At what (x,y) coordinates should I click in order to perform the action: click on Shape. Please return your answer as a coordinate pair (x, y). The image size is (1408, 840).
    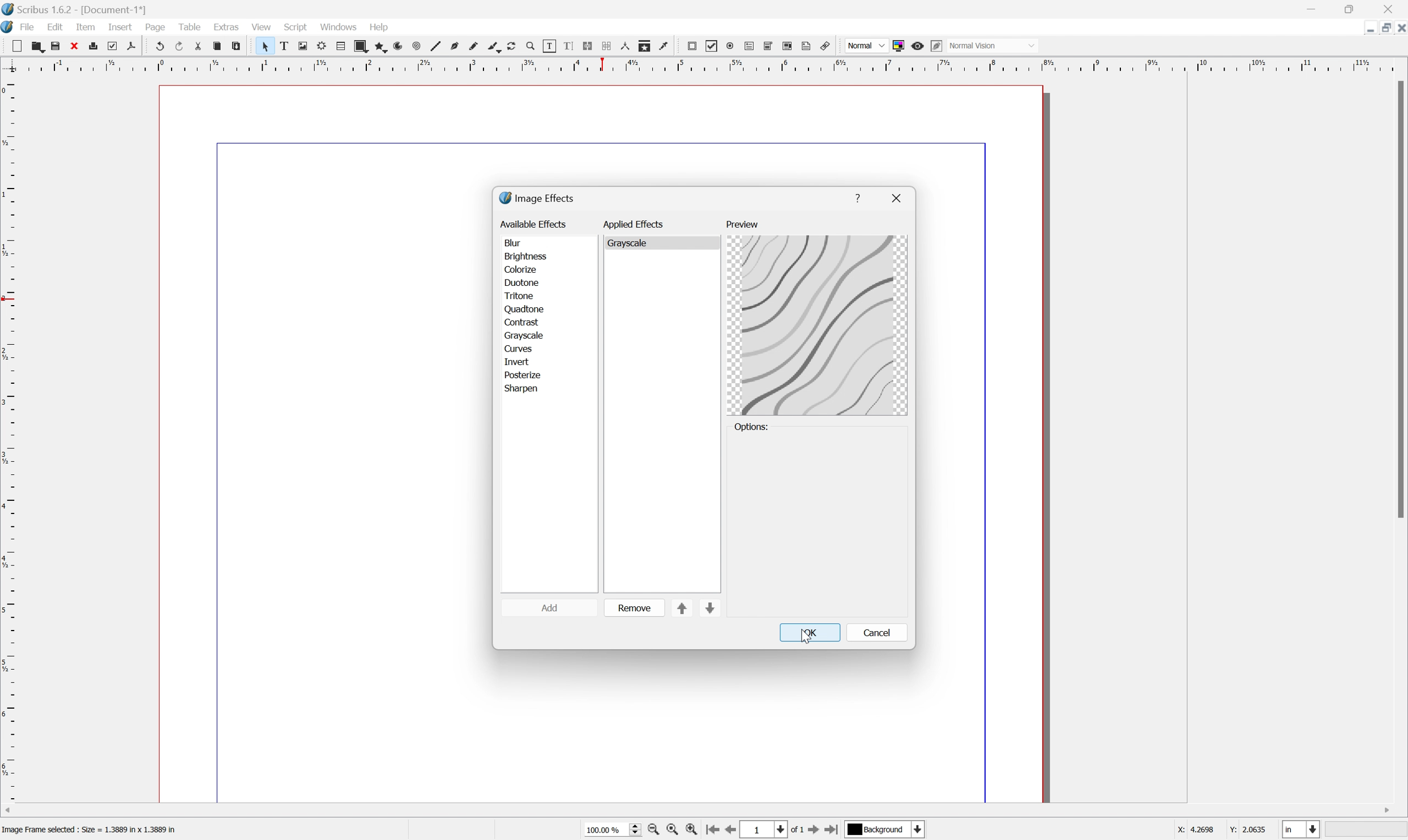
    Looking at the image, I should click on (364, 47).